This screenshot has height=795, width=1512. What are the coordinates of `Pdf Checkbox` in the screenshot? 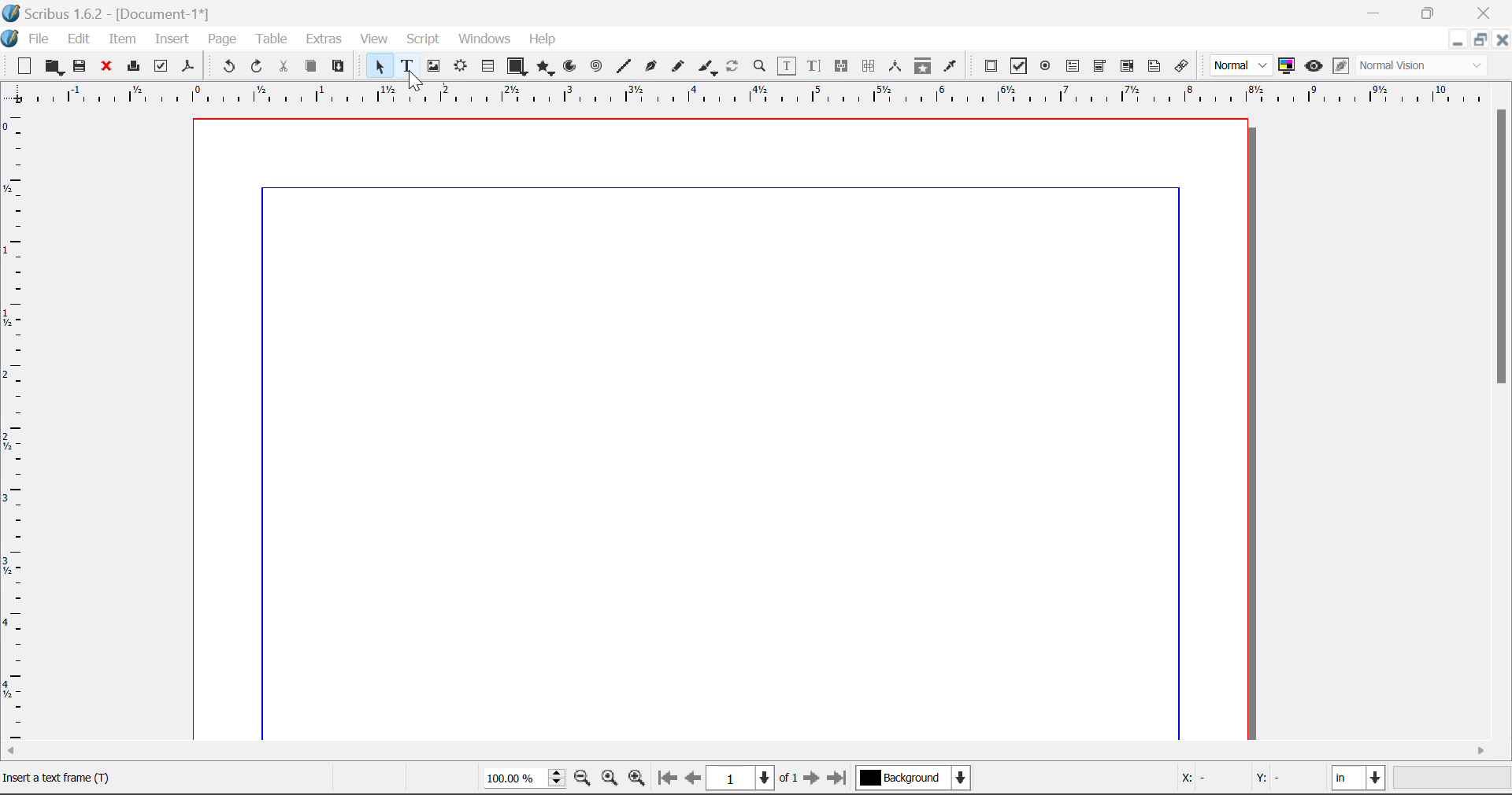 It's located at (1019, 66).